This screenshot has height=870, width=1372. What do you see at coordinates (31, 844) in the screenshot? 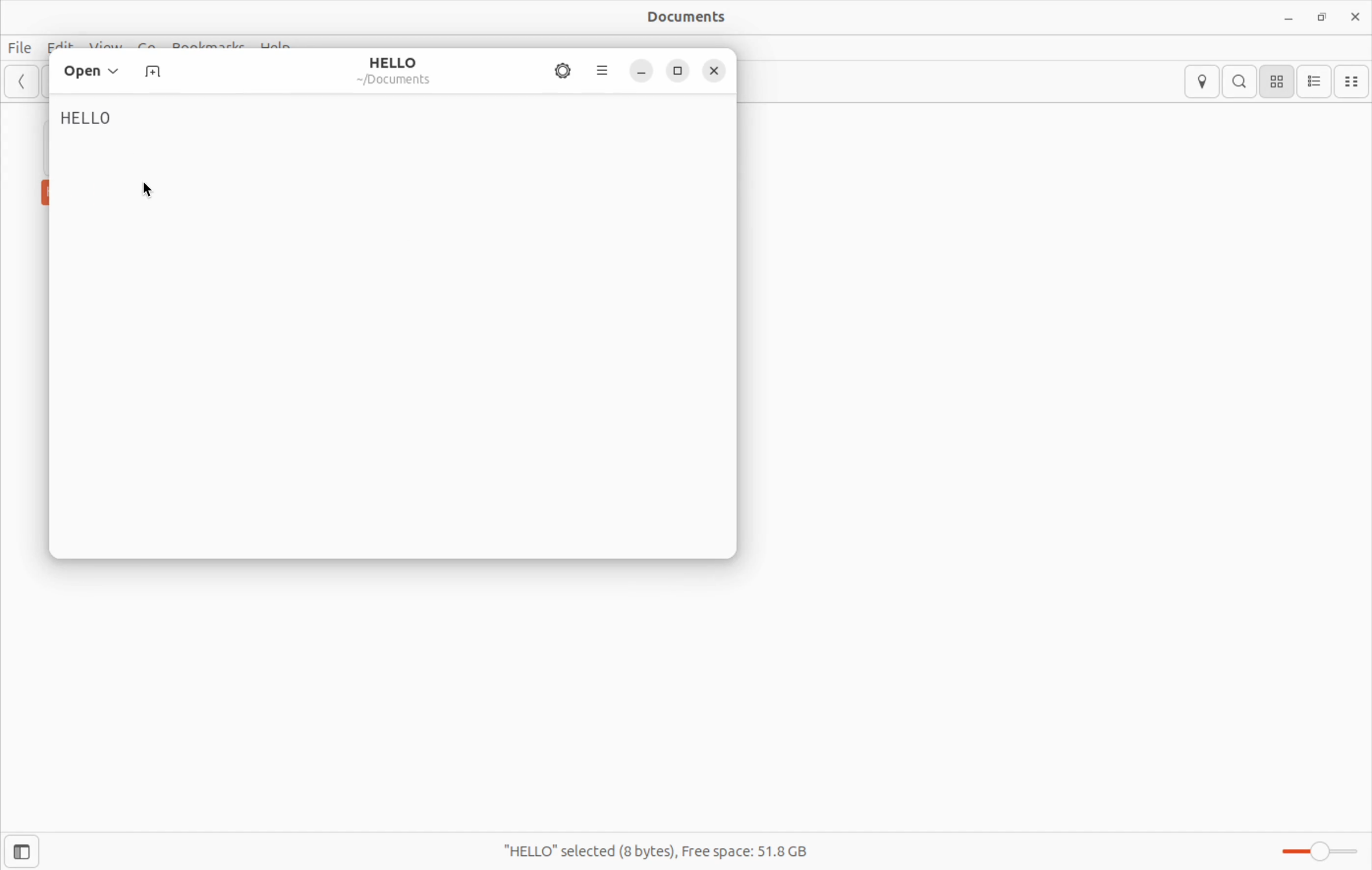
I see `Open sidebar` at bounding box center [31, 844].